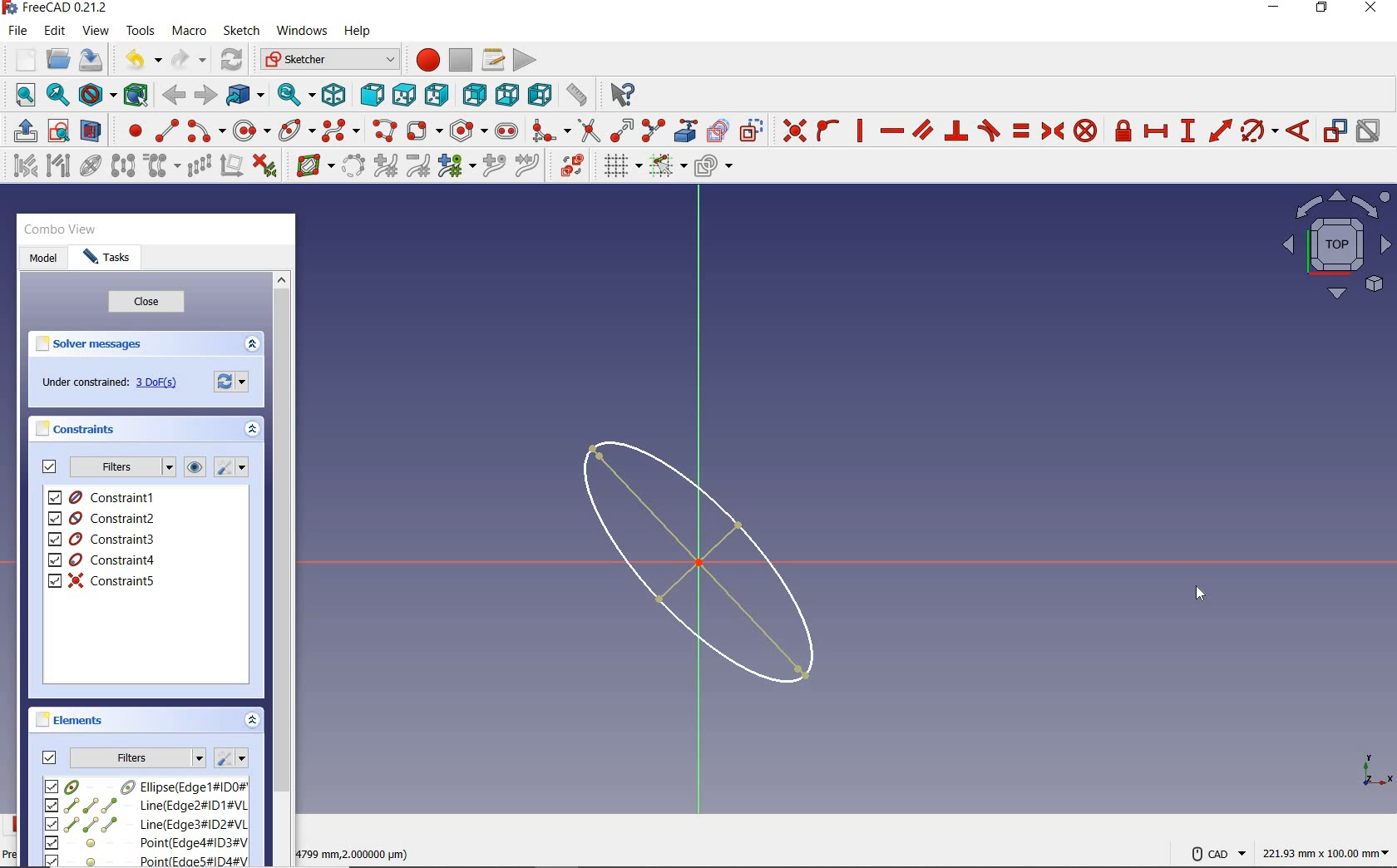 The width and height of the screenshot is (1397, 868). I want to click on under constrained, so click(114, 383).